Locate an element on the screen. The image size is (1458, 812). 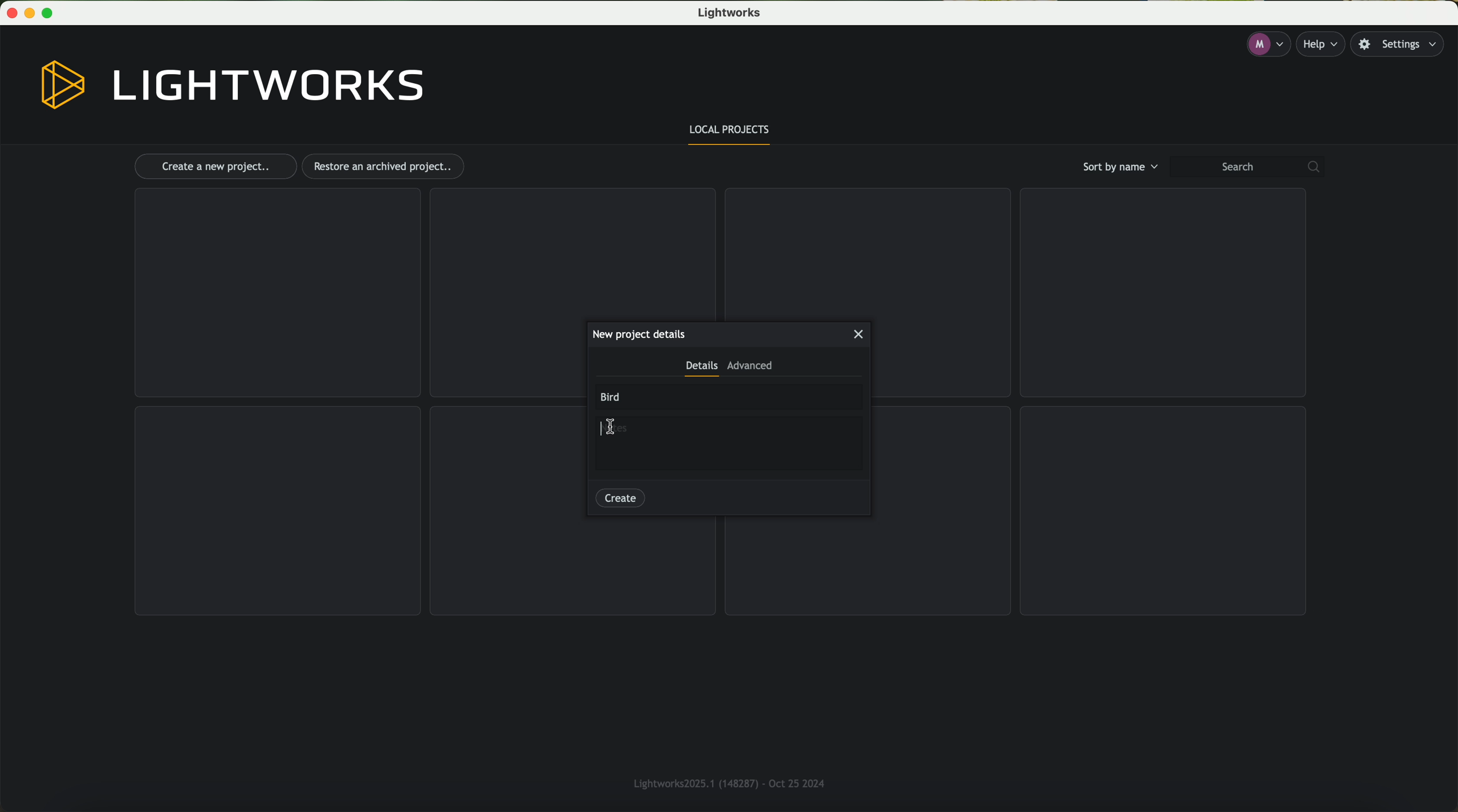
sort by name is located at coordinates (1118, 166).